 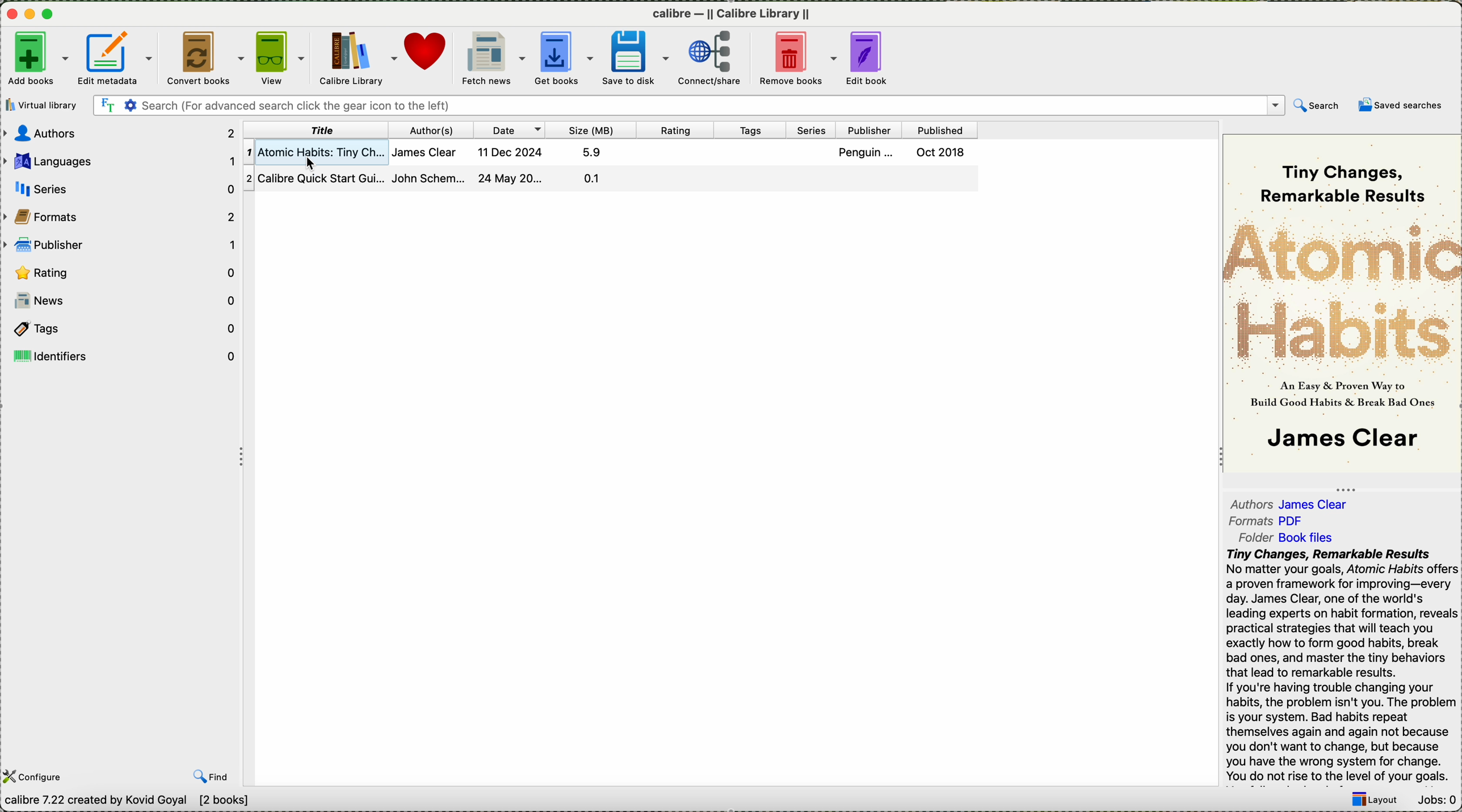 I want to click on rating, so click(x=124, y=272).